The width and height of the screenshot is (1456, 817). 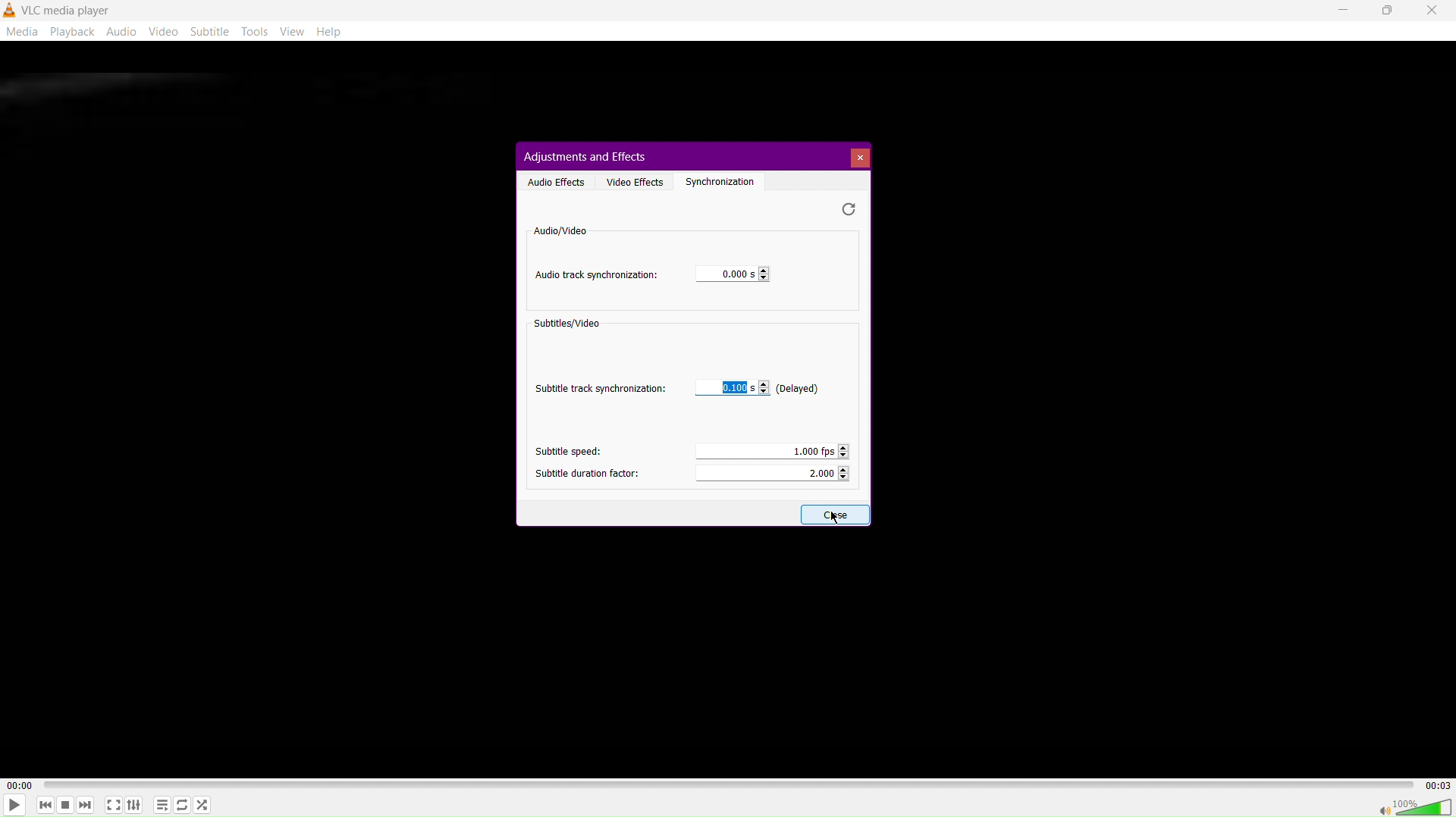 I want to click on Audio Effects, so click(x=553, y=181).